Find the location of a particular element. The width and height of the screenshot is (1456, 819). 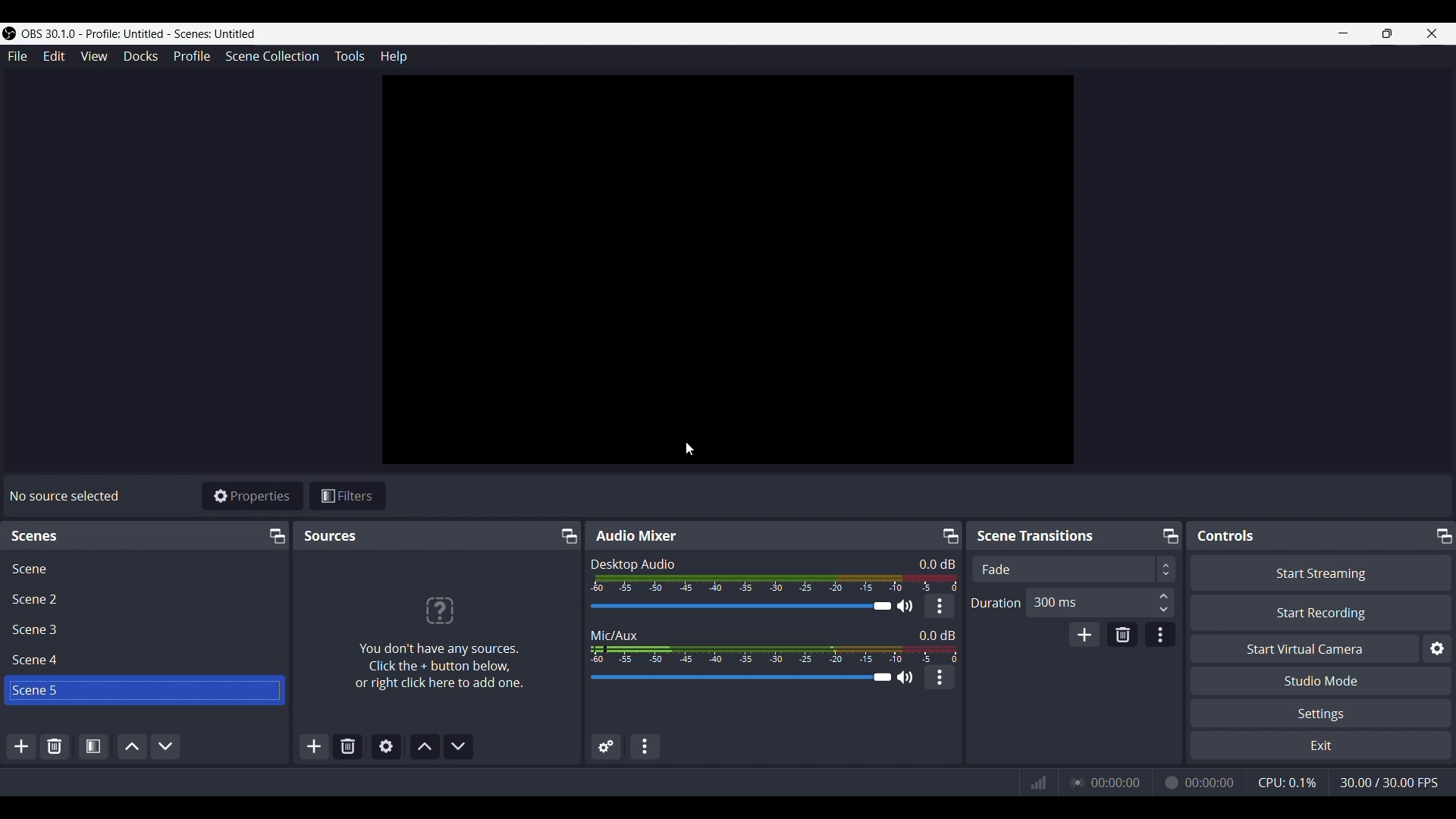

00:00:00 is located at coordinates (1116, 781).